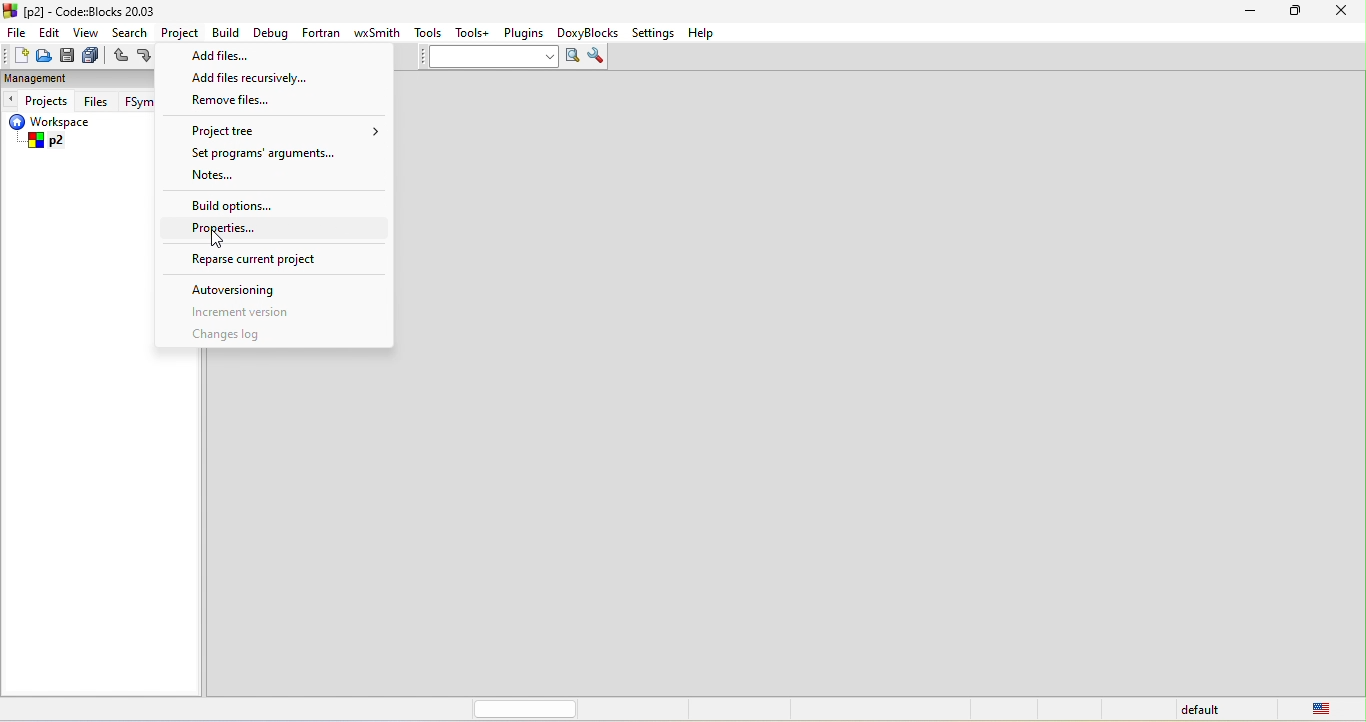  What do you see at coordinates (572, 58) in the screenshot?
I see `run search` at bounding box center [572, 58].